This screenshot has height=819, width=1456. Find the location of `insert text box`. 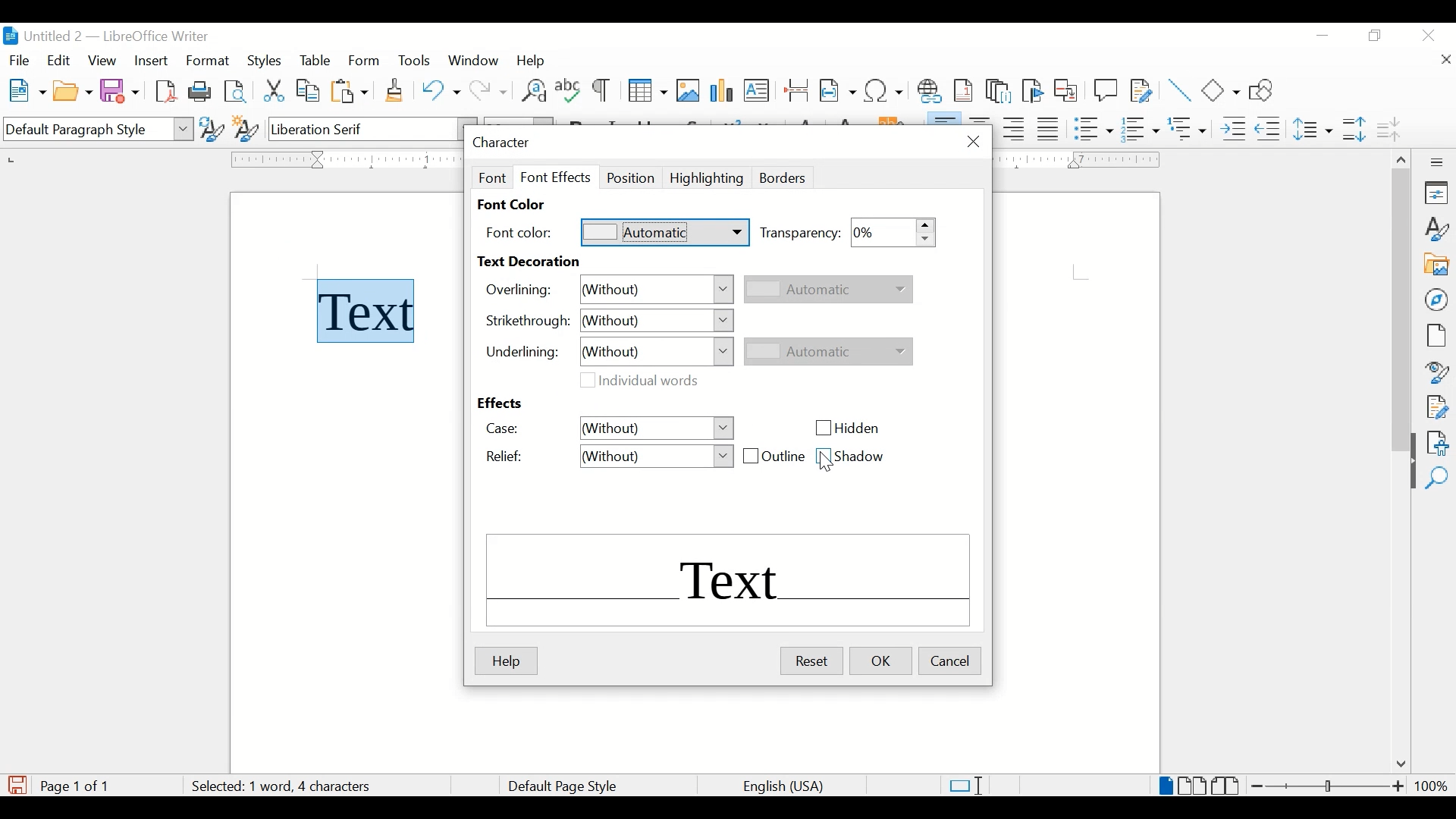

insert text box is located at coordinates (756, 90).